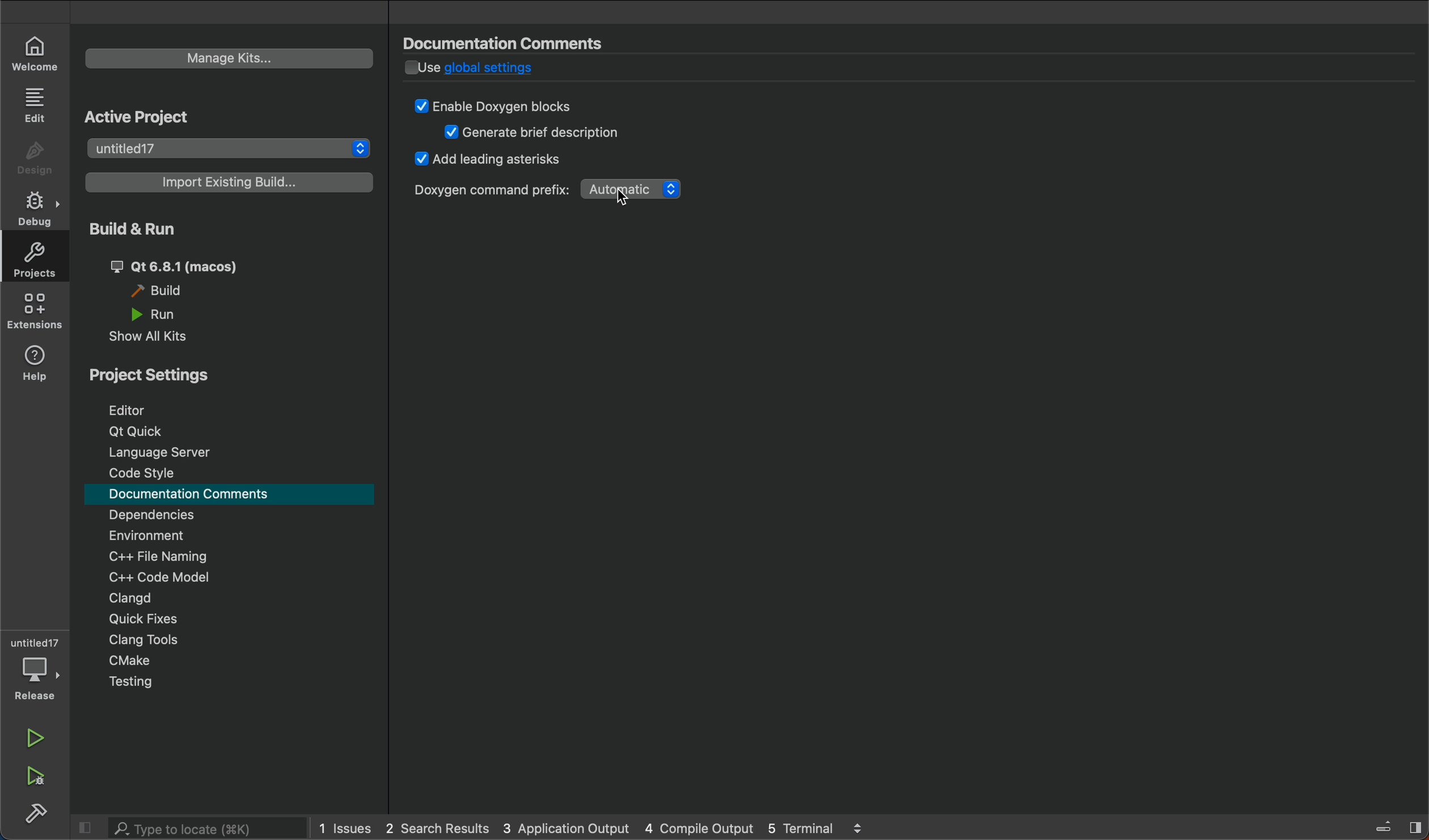  What do you see at coordinates (125, 599) in the screenshot?
I see `clangd` at bounding box center [125, 599].